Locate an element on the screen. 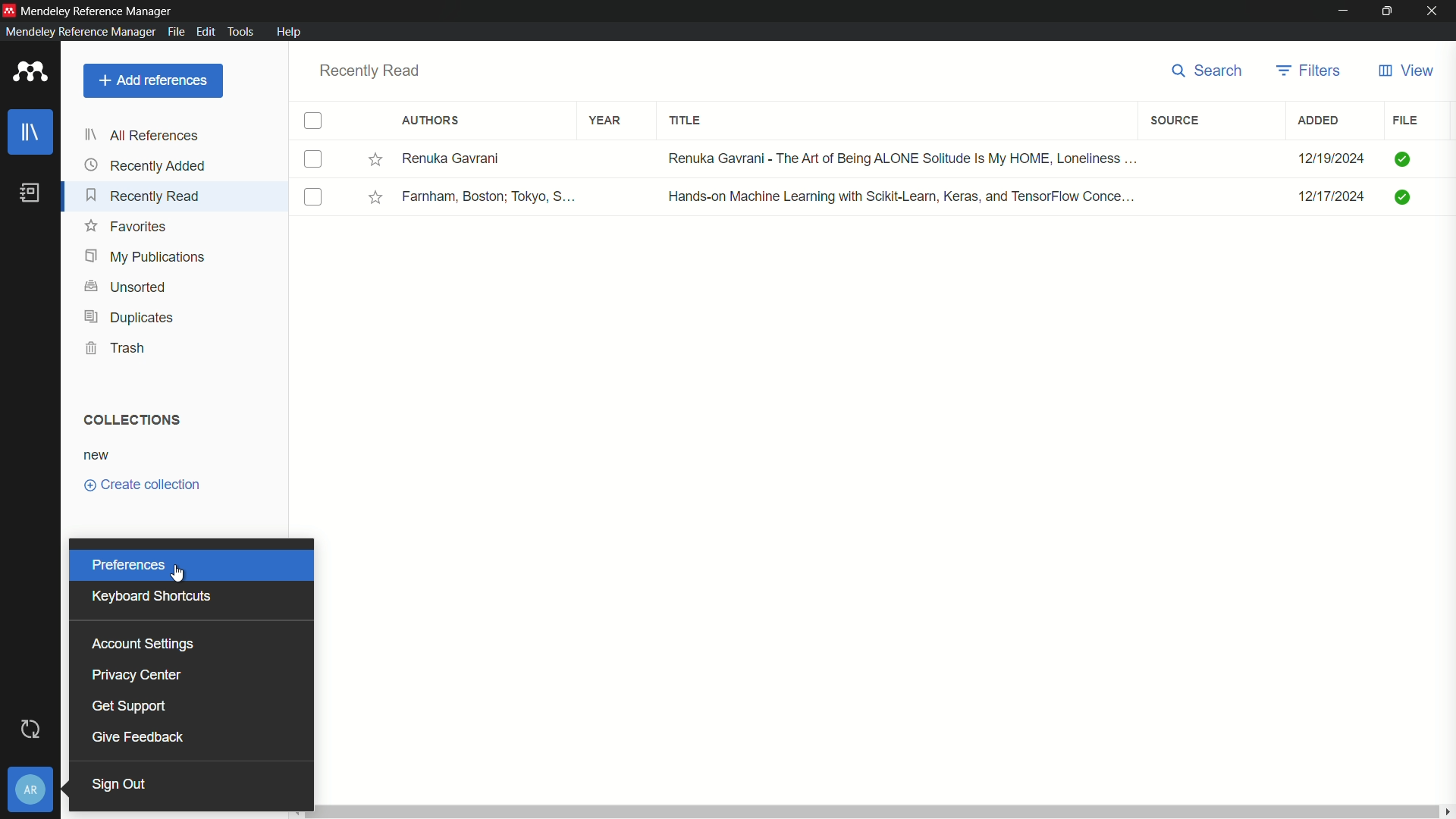 This screenshot has width=1456, height=819. give feedback is located at coordinates (136, 736).